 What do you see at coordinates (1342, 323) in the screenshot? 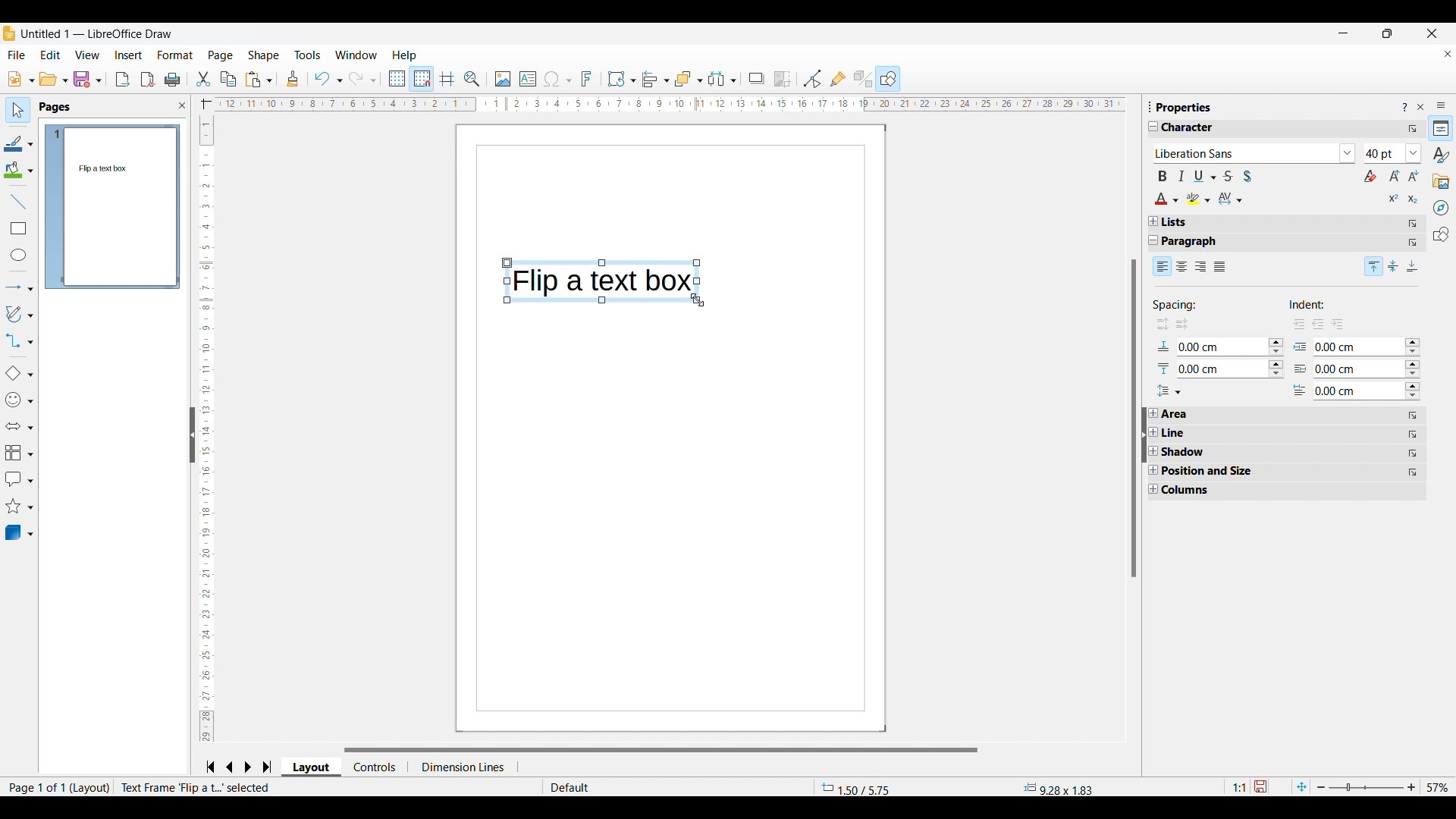
I see `sub indent` at bounding box center [1342, 323].